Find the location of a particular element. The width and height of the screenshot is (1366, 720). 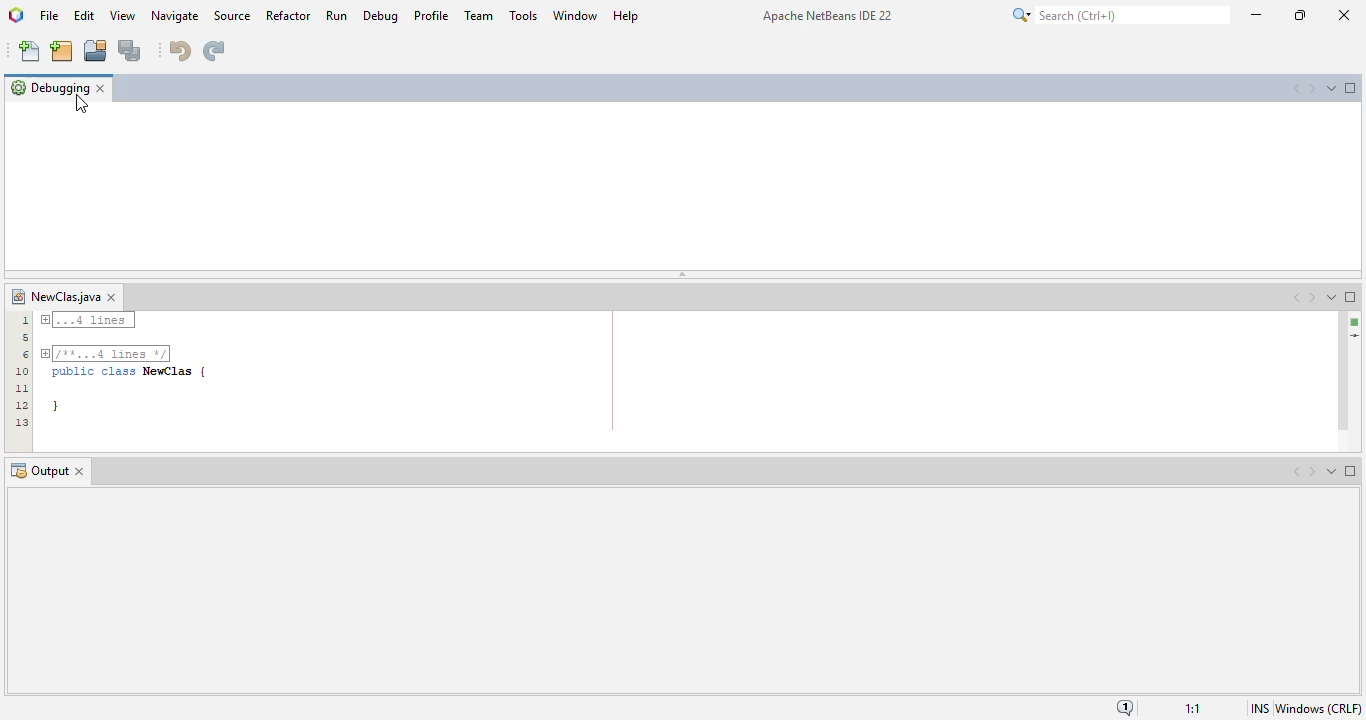

save all is located at coordinates (130, 51).